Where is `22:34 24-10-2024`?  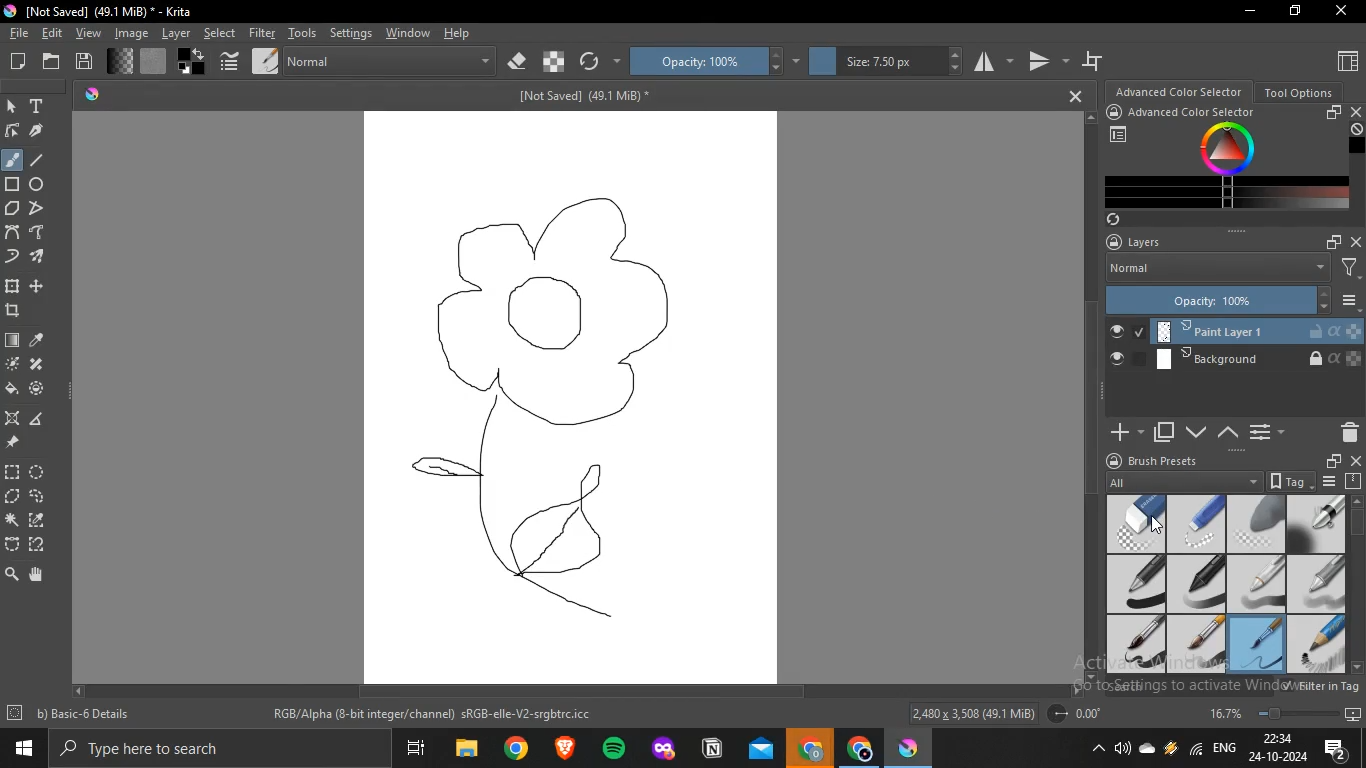
22:34 24-10-2024 is located at coordinates (1275, 748).